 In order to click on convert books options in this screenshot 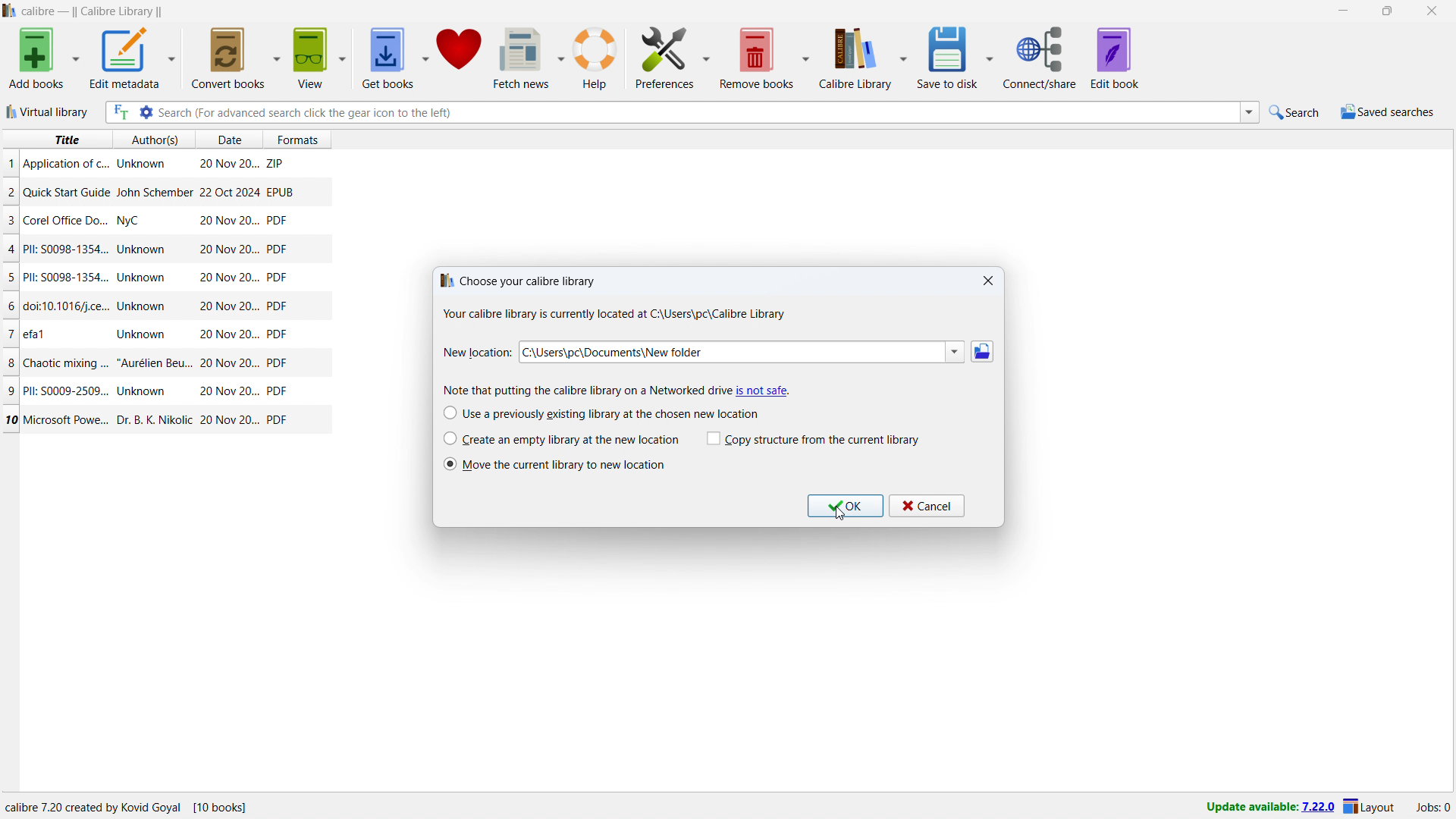, I will do `click(278, 56)`.